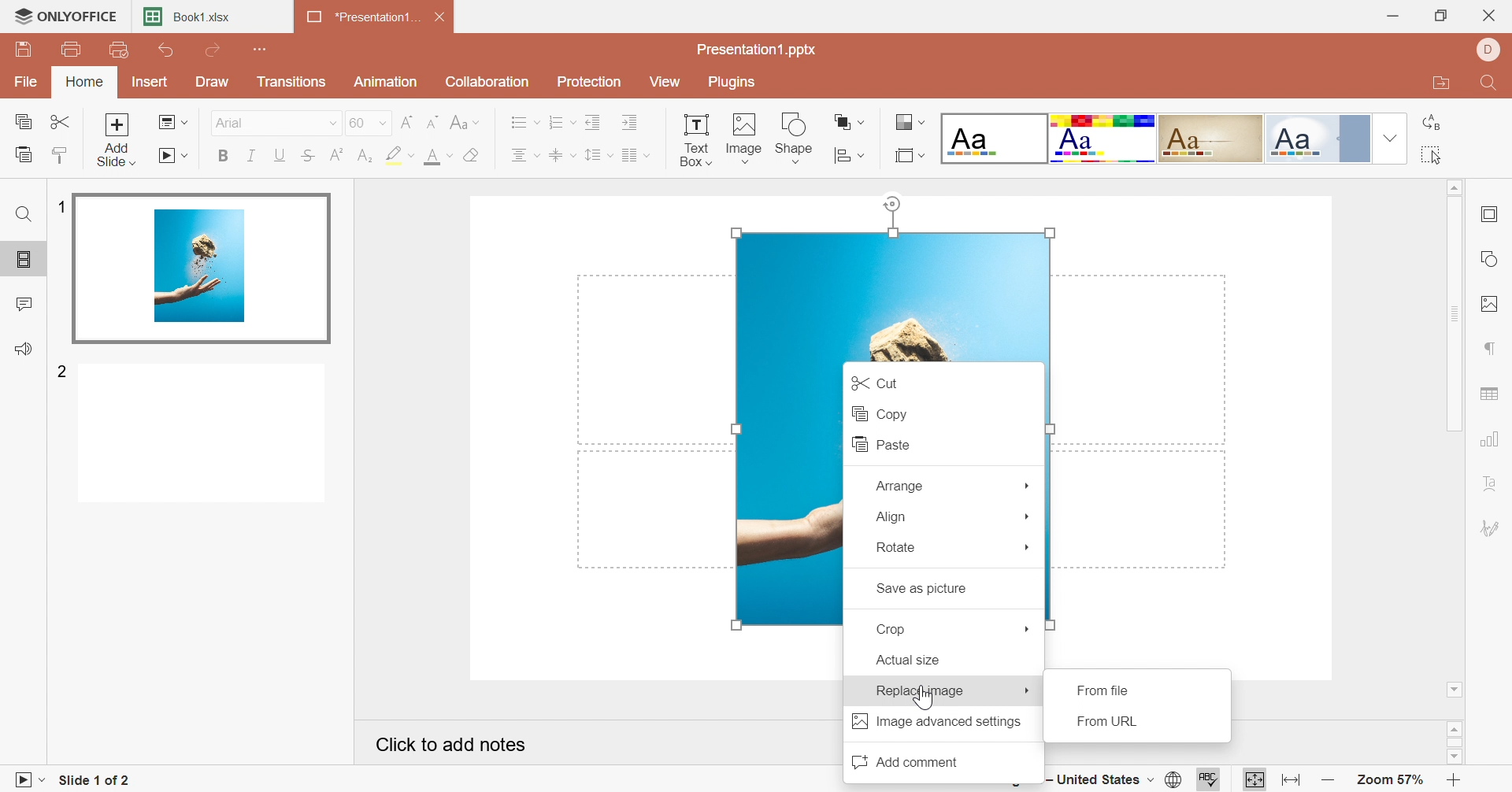  What do you see at coordinates (1028, 549) in the screenshot?
I see `Drop Down` at bounding box center [1028, 549].